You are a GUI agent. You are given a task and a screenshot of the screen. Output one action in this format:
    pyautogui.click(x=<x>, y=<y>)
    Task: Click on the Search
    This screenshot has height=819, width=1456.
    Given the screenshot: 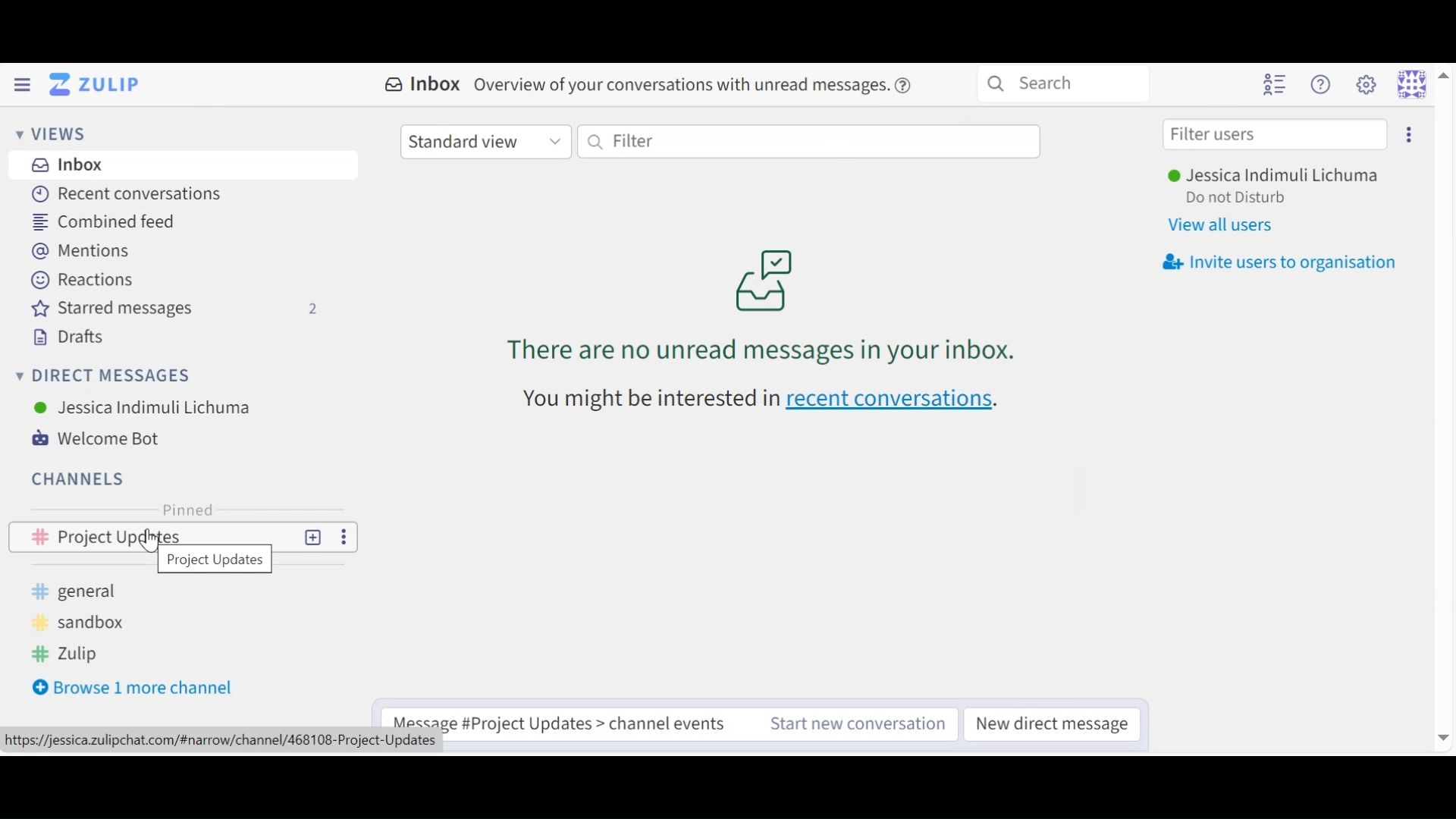 What is the action you would take?
    pyautogui.click(x=1064, y=84)
    